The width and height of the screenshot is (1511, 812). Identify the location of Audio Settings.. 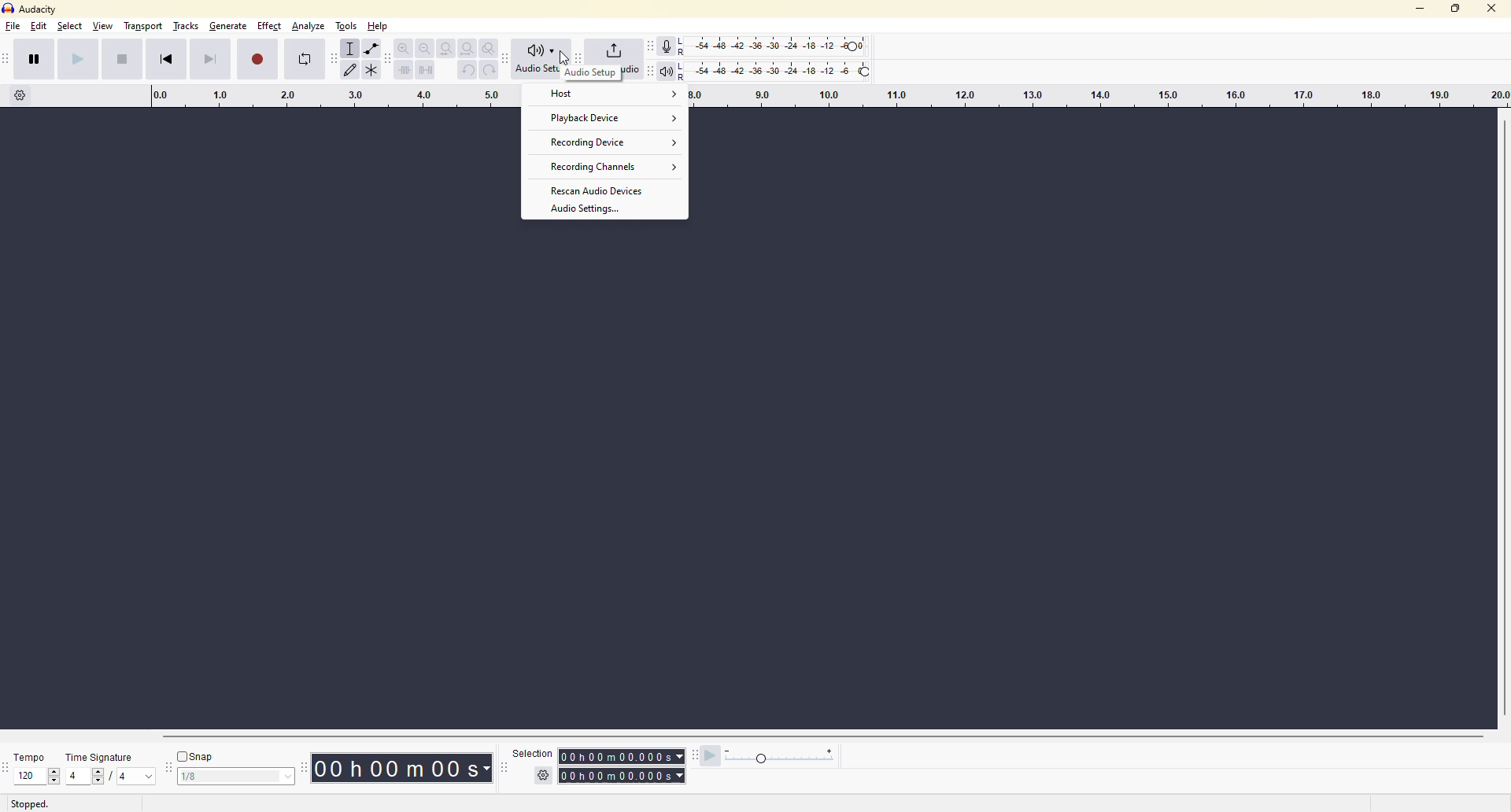
(586, 210).